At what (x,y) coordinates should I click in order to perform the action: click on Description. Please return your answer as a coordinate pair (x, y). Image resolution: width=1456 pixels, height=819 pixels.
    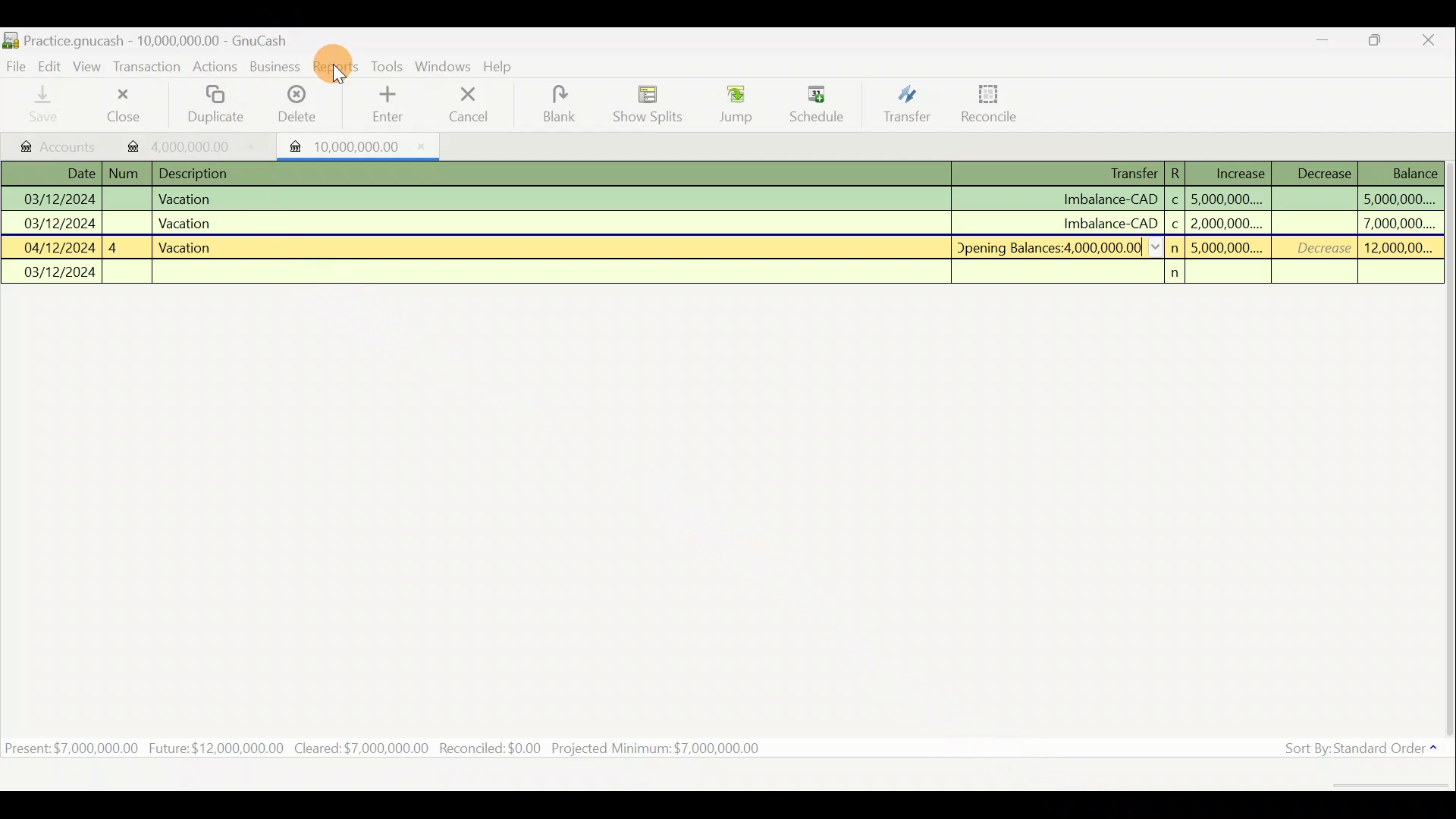
    Looking at the image, I should click on (194, 174).